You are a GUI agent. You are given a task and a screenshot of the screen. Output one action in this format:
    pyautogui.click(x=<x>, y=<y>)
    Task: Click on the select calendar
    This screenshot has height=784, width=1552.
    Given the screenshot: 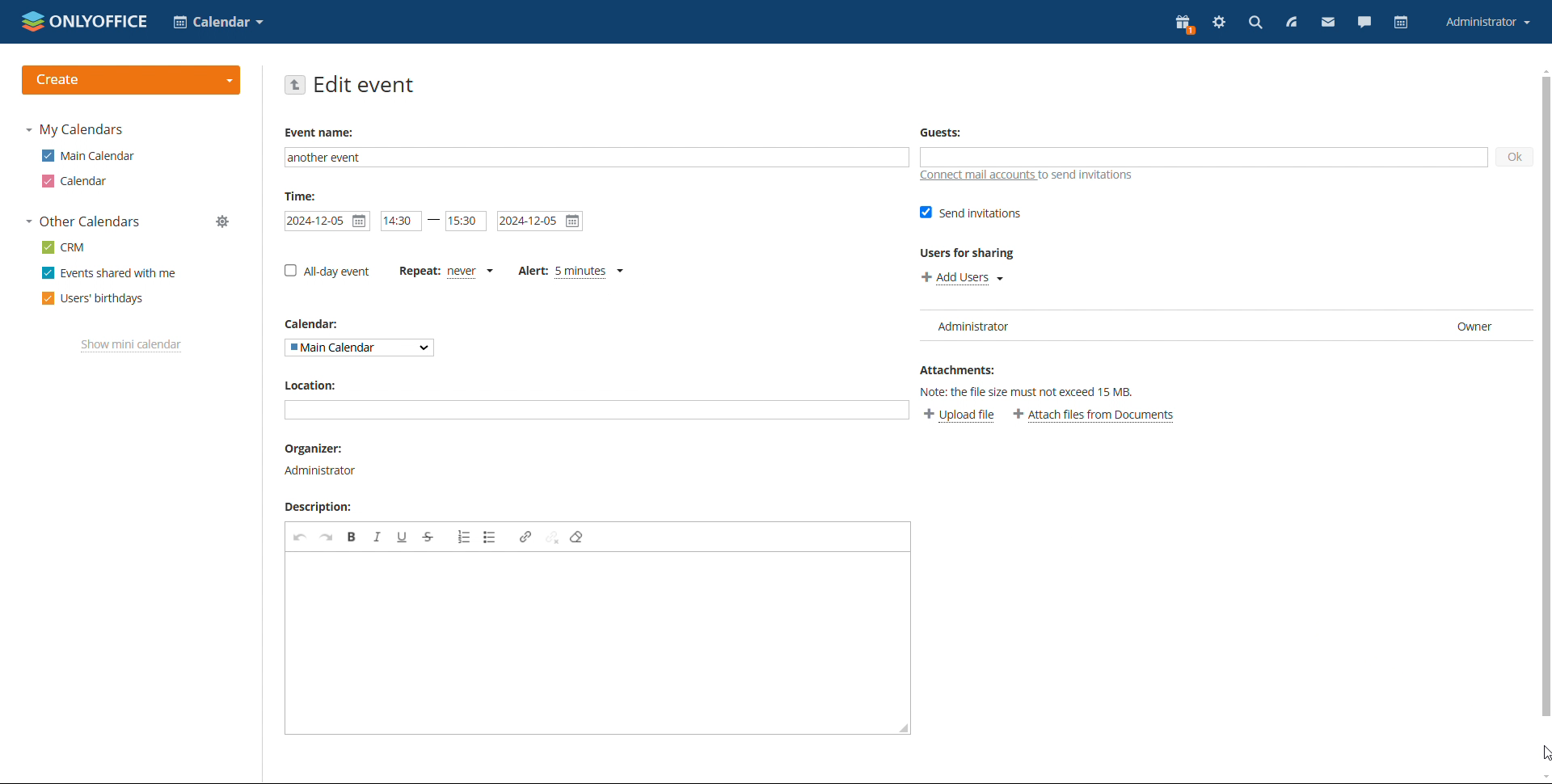 What is the action you would take?
    pyautogui.click(x=218, y=22)
    